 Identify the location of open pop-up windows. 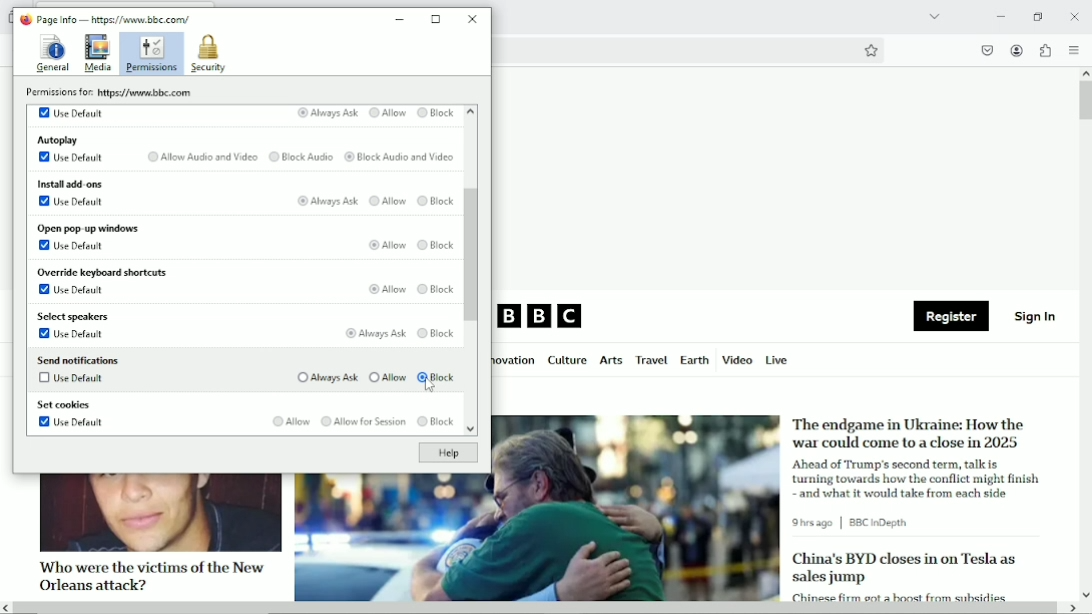
(87, 228).